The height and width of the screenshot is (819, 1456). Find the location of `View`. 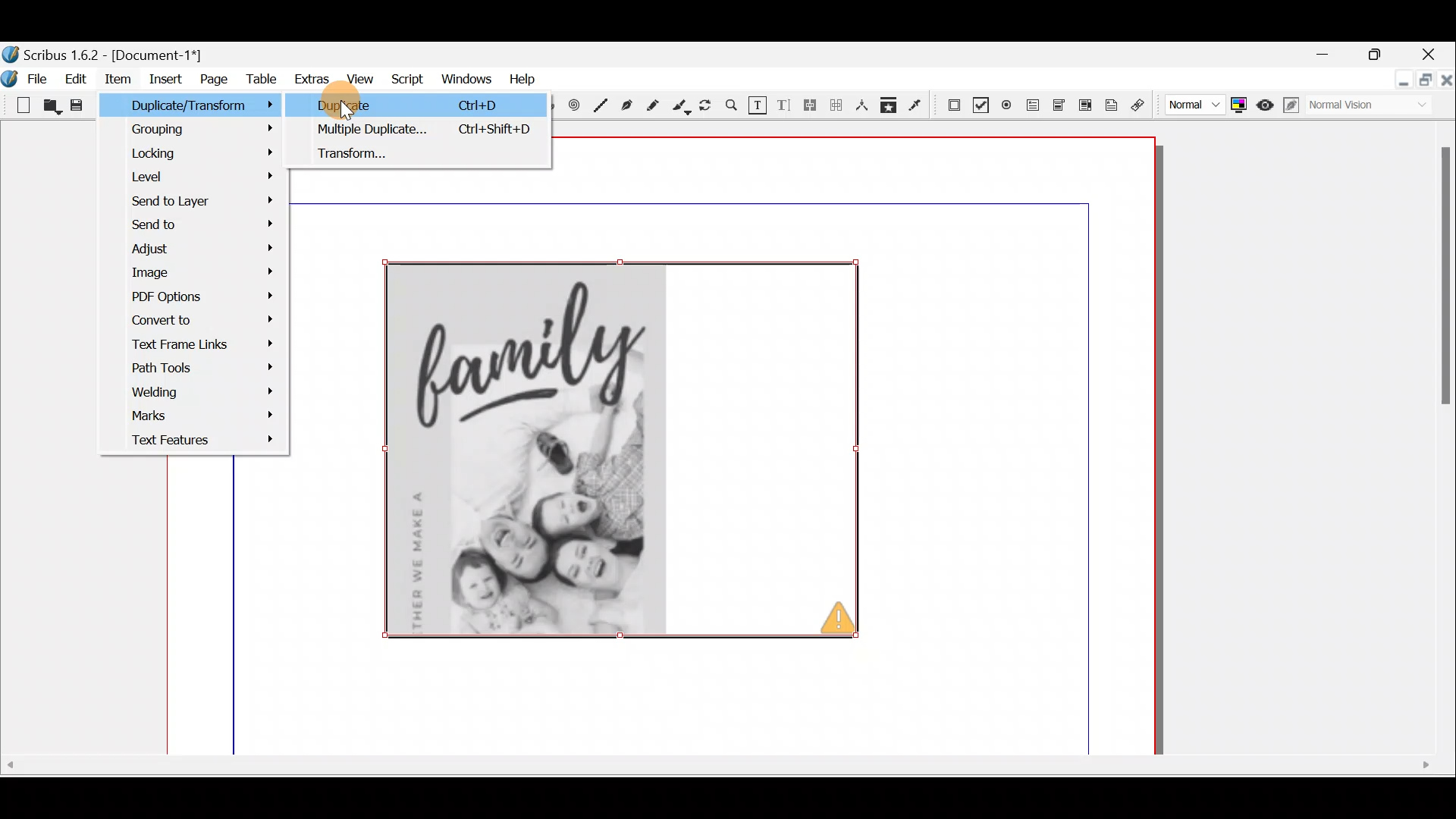

View is located at coordinates (362, 78).